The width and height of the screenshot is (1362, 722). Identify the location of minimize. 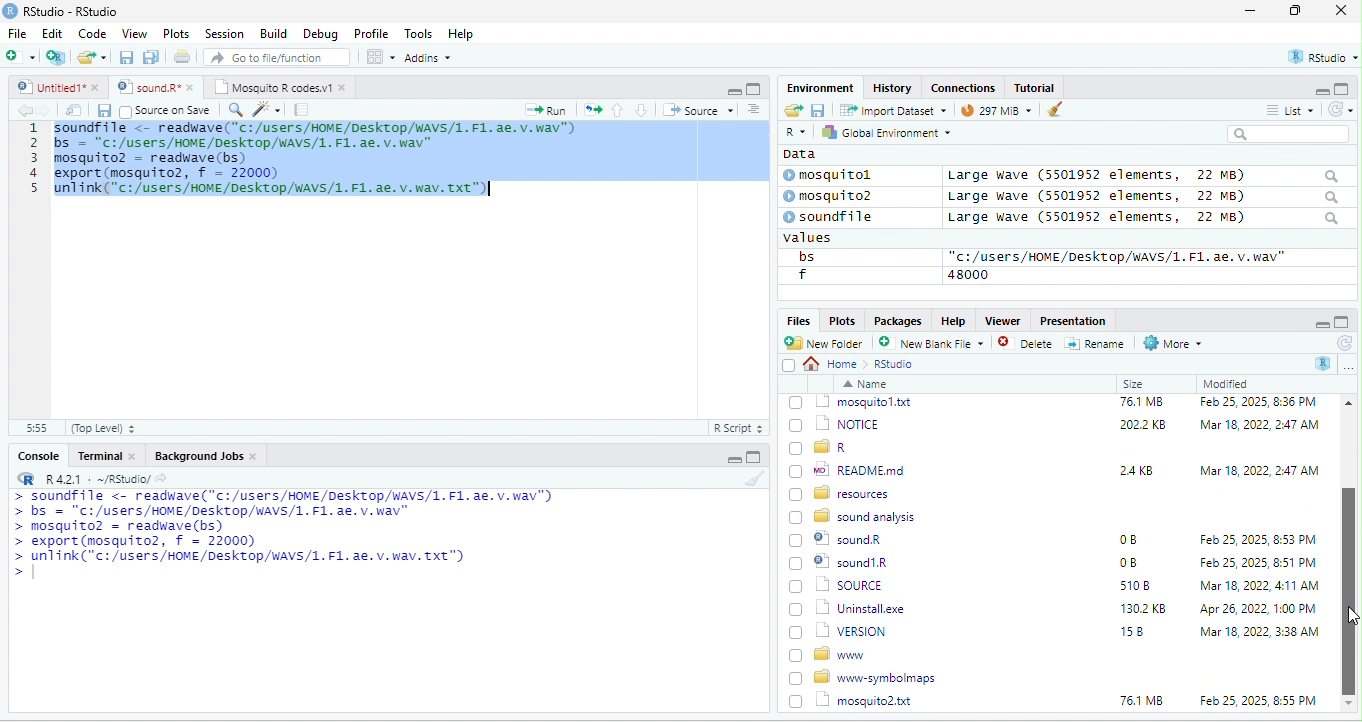
(731, 460).